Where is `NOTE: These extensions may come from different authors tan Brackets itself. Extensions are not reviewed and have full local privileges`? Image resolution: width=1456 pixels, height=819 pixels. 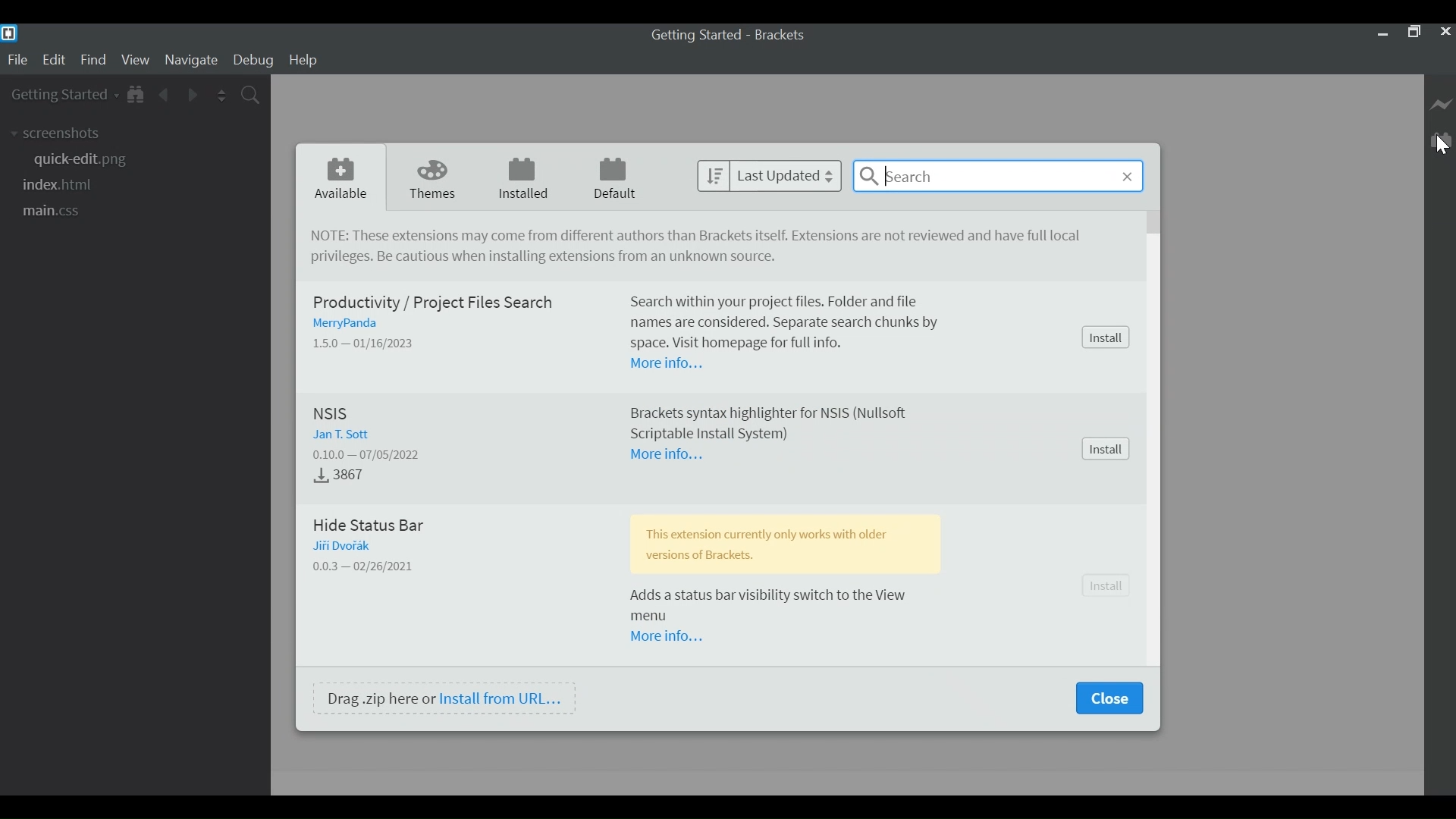
NOTE: These extensions may come from different authors tan Brackets itself. Extensions are not reviewed and have full local privileges is located at coordinates (683, 237).